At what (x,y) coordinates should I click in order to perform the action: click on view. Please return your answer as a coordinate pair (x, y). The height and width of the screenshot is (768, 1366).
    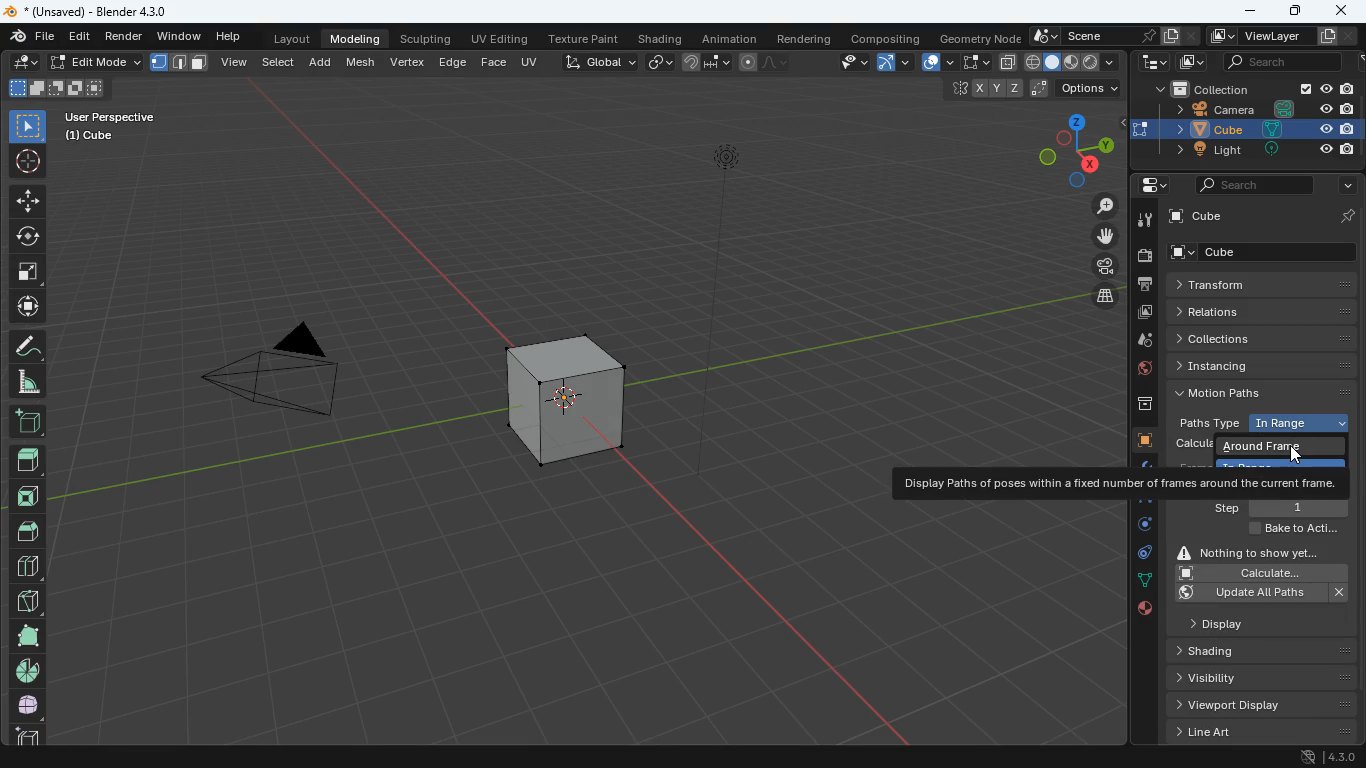
    Looking at the image, I should click on (235, 61).